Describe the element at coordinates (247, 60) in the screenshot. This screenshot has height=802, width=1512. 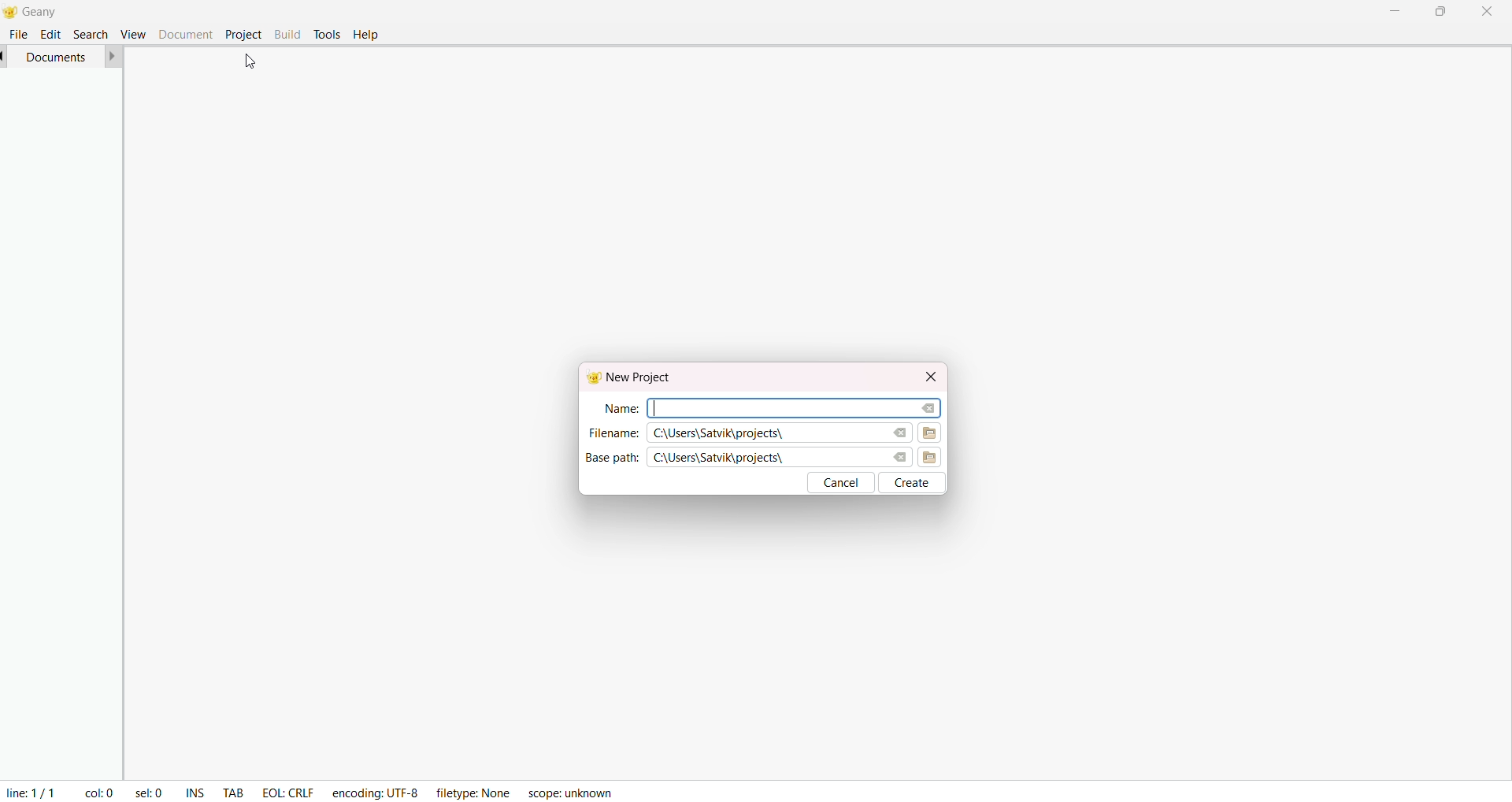
I see `cursor` at that location.